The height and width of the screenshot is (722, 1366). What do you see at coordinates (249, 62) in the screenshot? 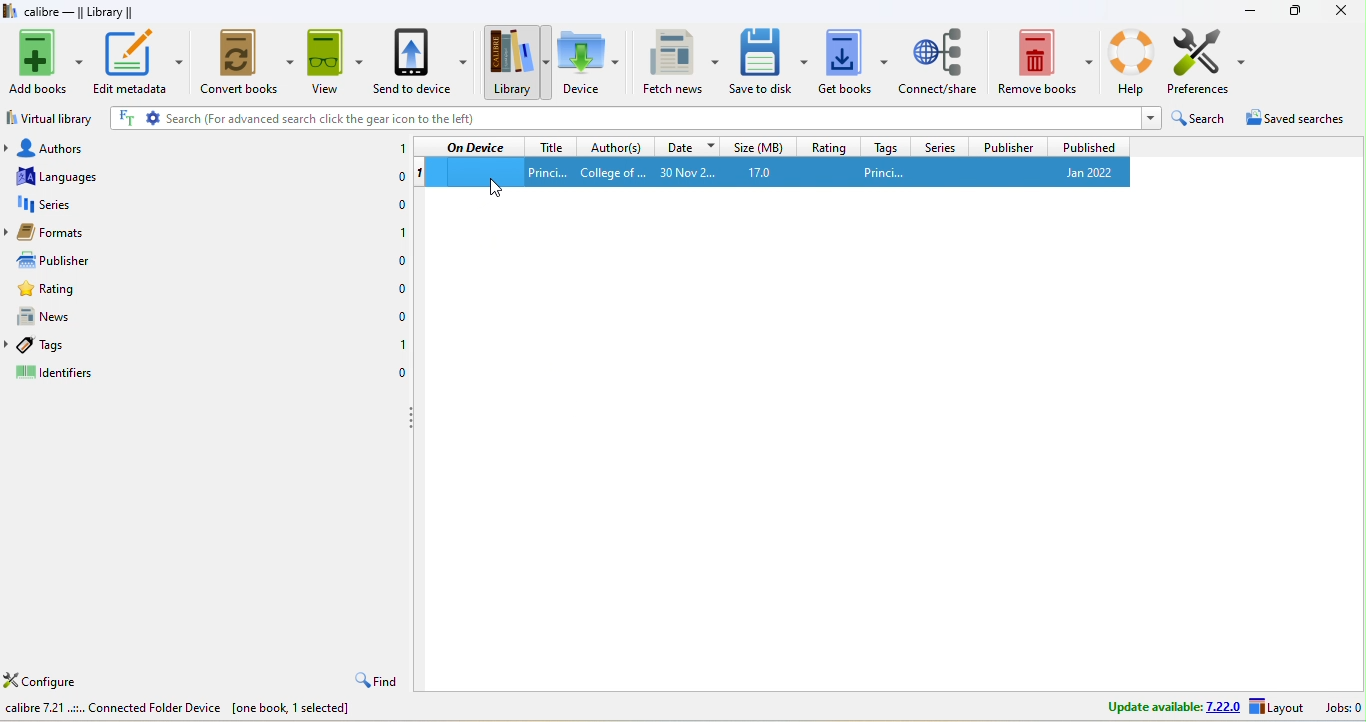
I see `convert books` at bounding box center [249, 62].